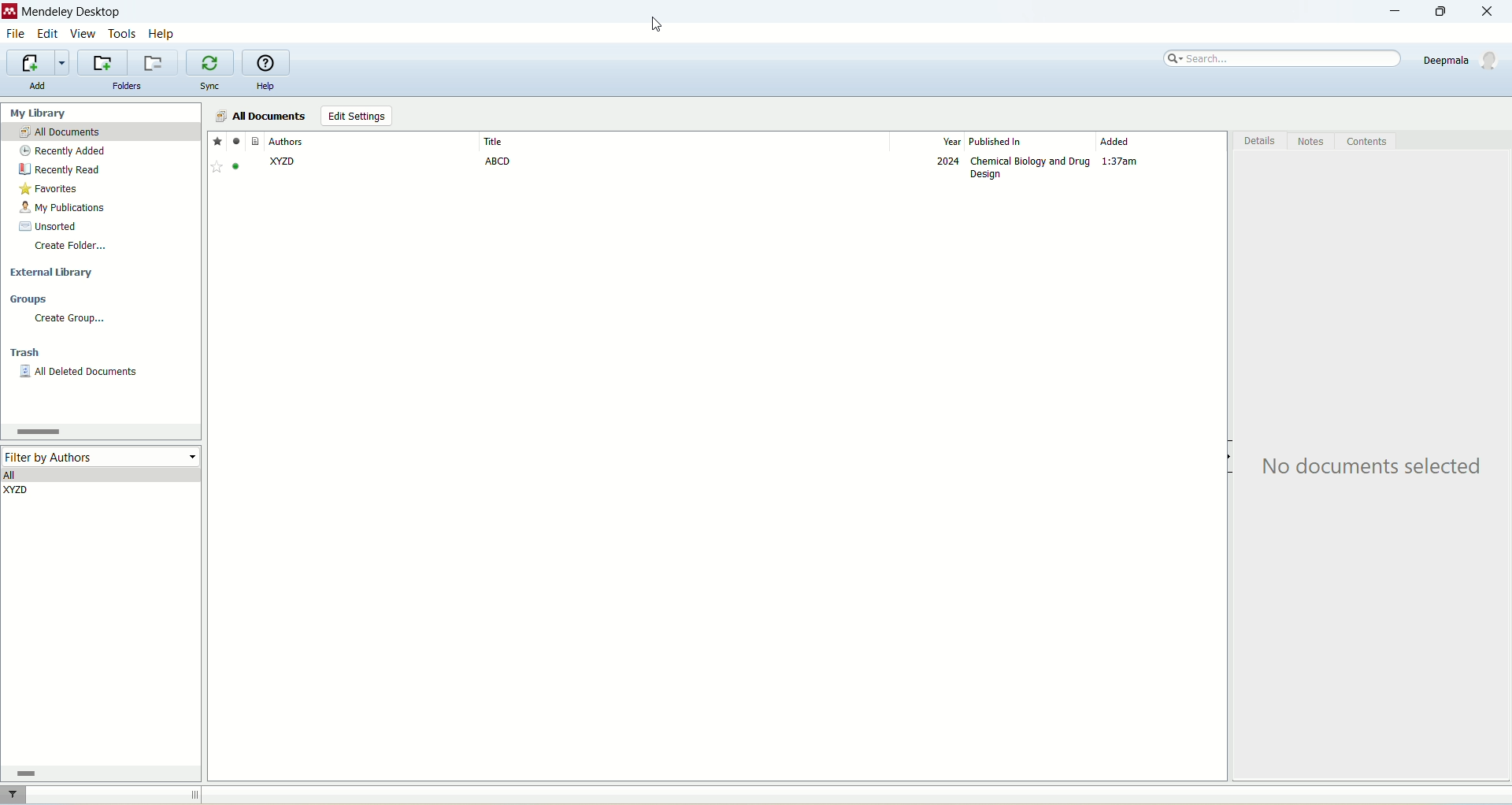 The height and width of the screenshot is (805, 1512). I want to click on cursor, so click(662, 25).